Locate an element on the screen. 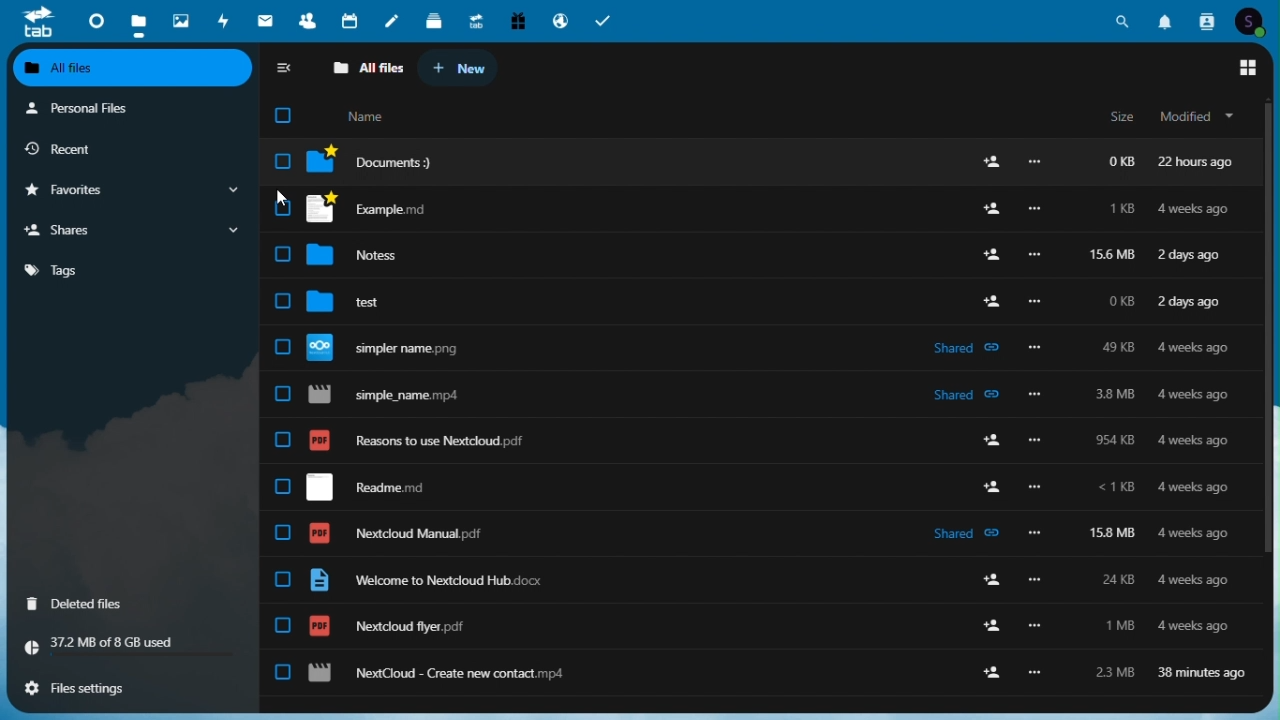  shared is located at coordinates (968, 350).